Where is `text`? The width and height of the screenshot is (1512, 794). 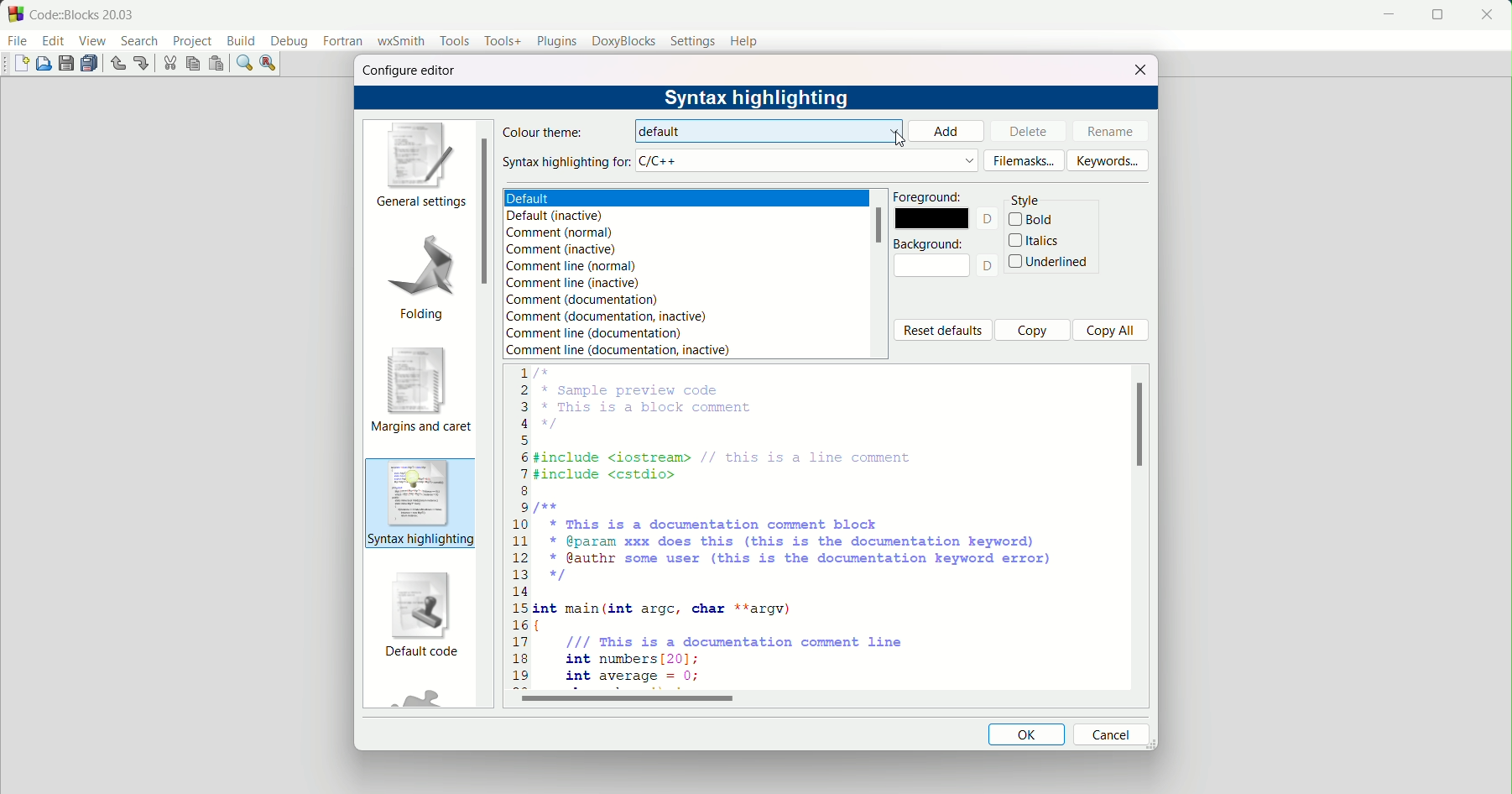 text is located at coordinates (687, 273).